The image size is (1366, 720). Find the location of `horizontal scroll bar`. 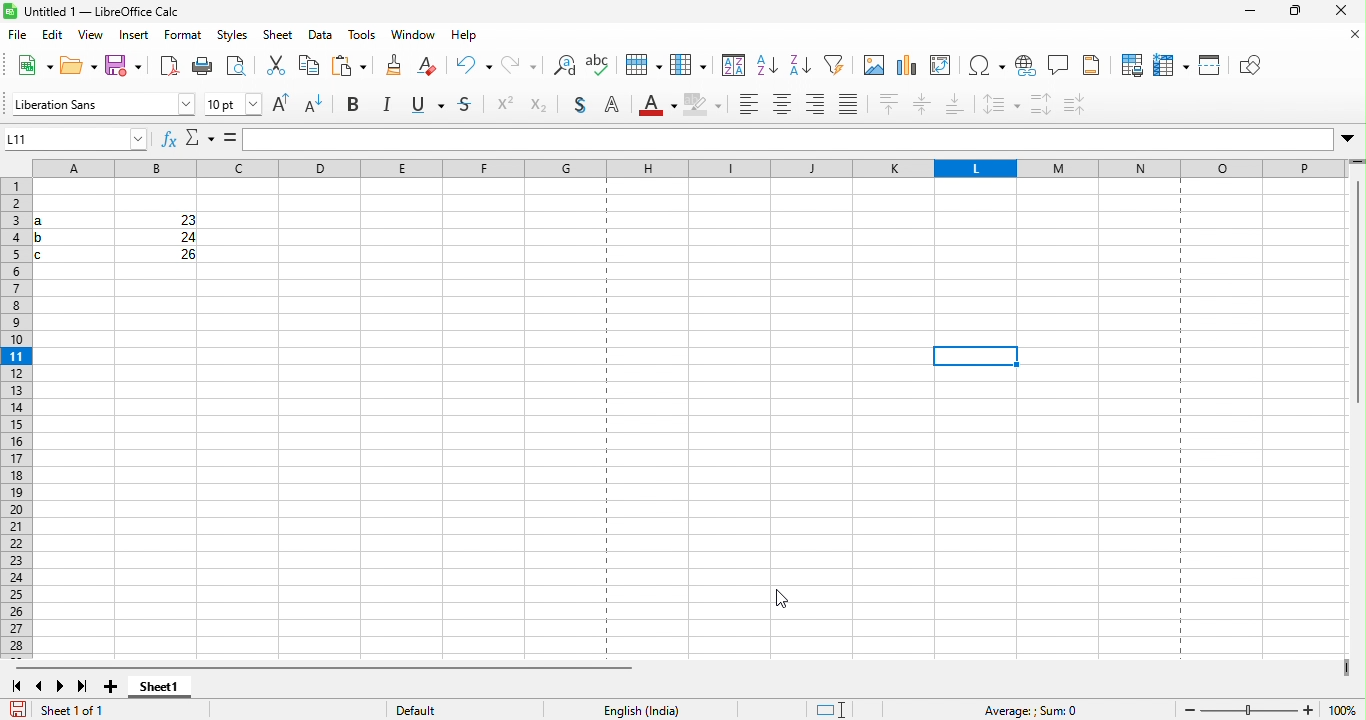

horizontal scroll bar is located at coordinates (323, 662).